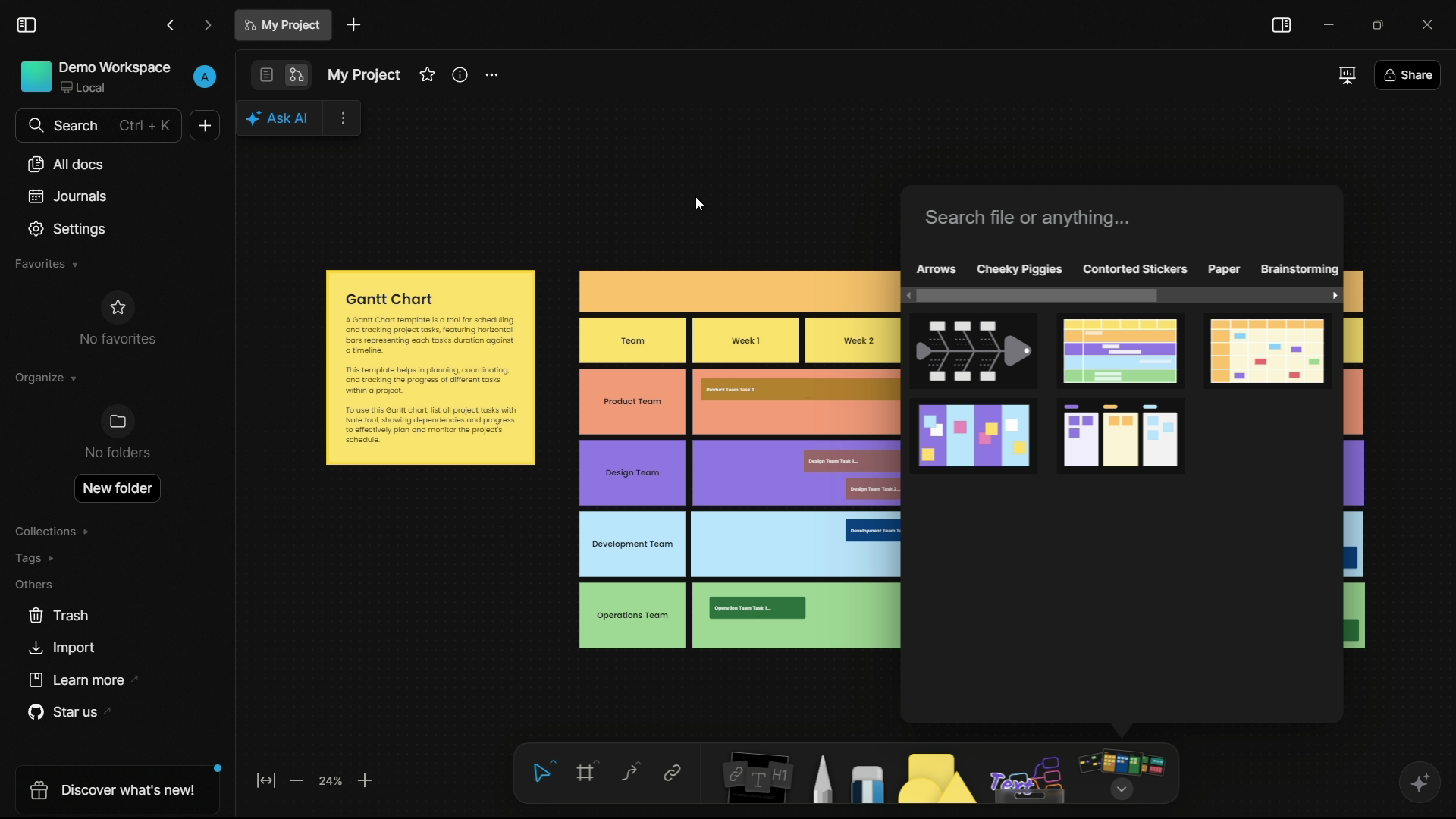 The image size is (1456, 819). Describe the element at coordinates (366, 782) in the screenshot. I see `zoom in` at that location.